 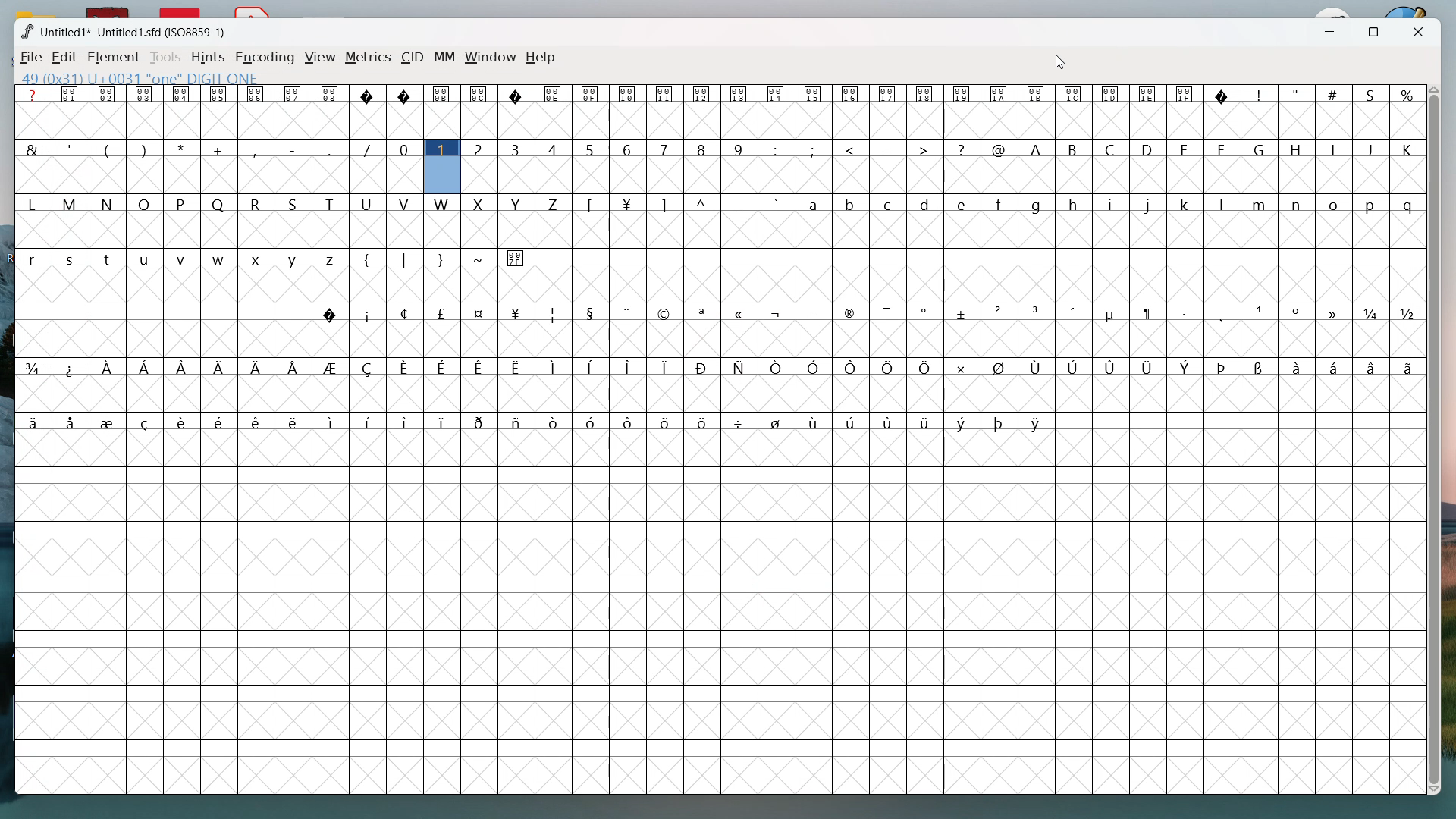 I want to click on 49 (0x31) U+0031 "one" DIGIT ONE, so click(x=140, y=77).